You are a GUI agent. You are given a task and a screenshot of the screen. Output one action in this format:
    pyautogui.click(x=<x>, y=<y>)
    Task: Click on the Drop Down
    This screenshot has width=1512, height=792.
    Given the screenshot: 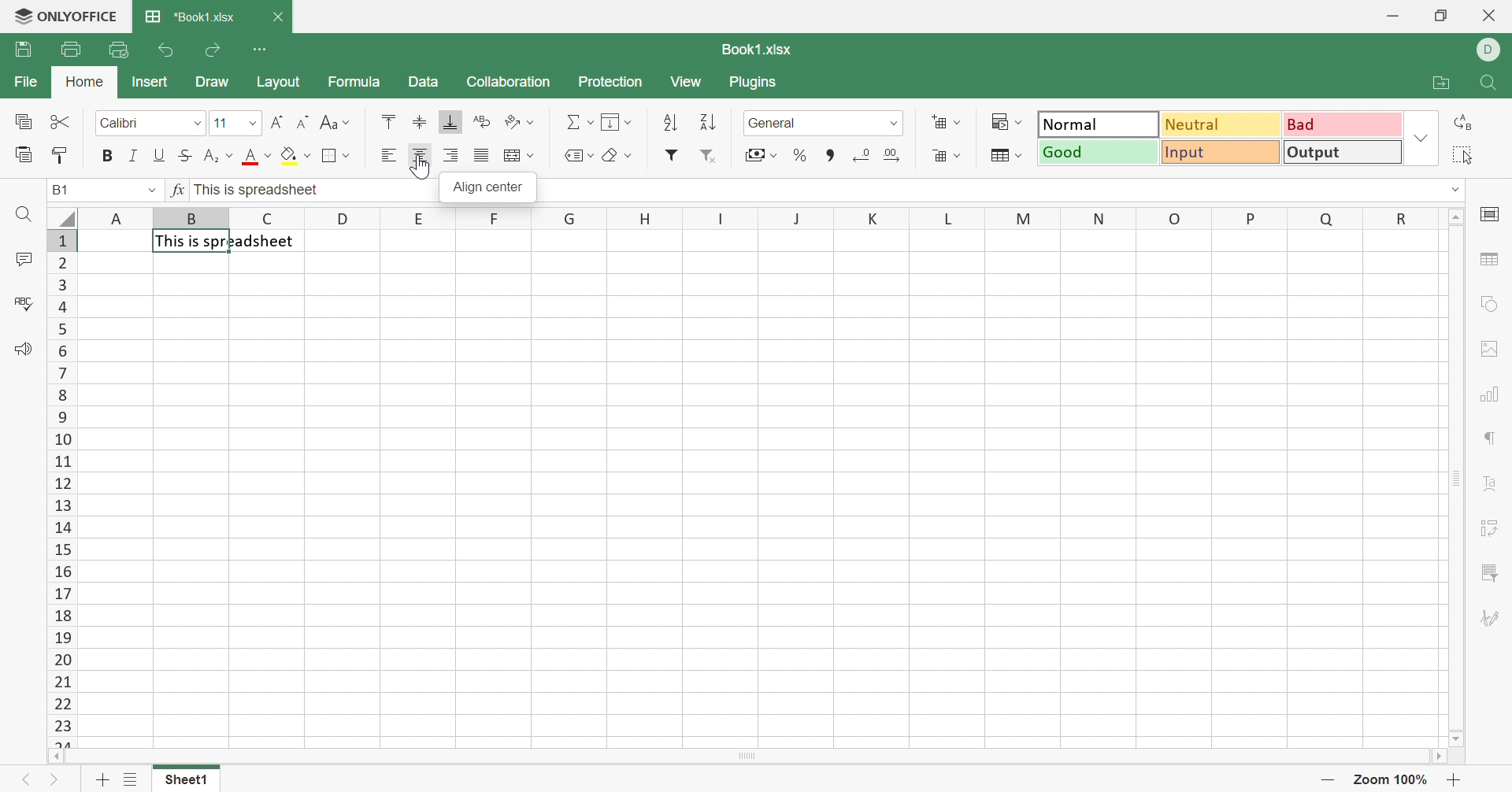 What is the action you would take?
    pyautogui.click(x=894, y=122)
    